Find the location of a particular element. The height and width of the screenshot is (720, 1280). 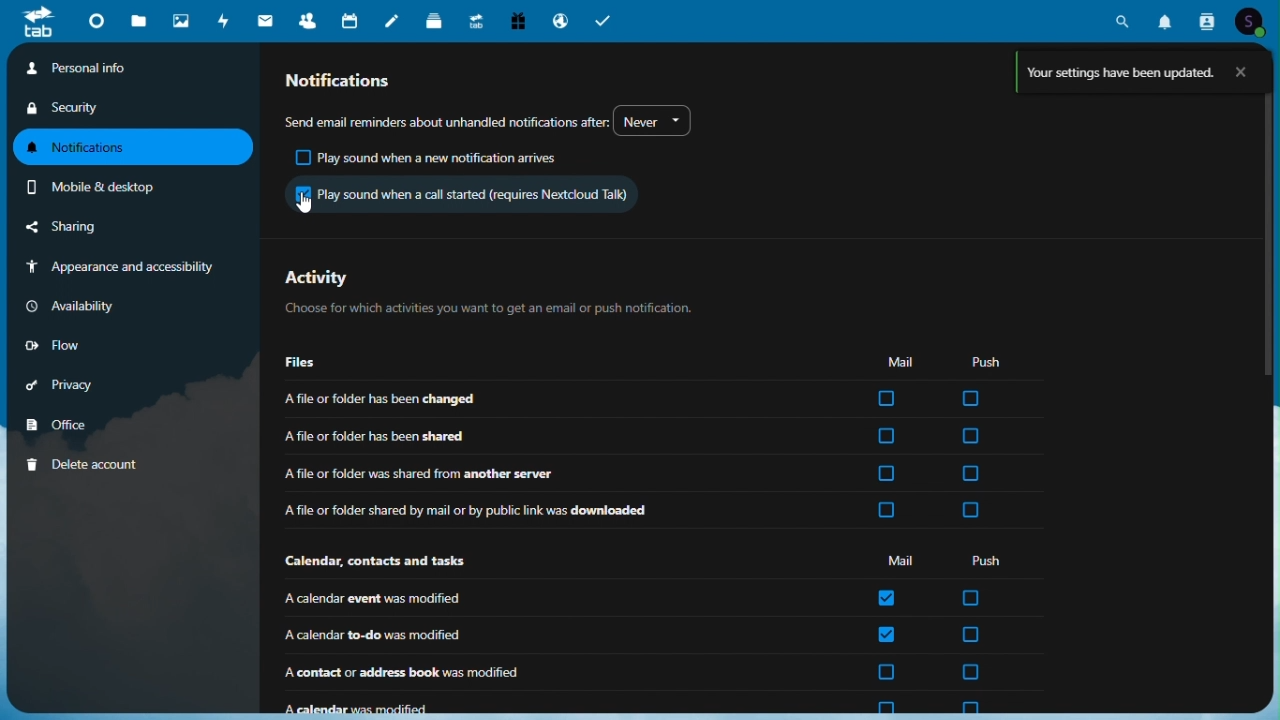

Personal info is located at coordinates (133, 69).